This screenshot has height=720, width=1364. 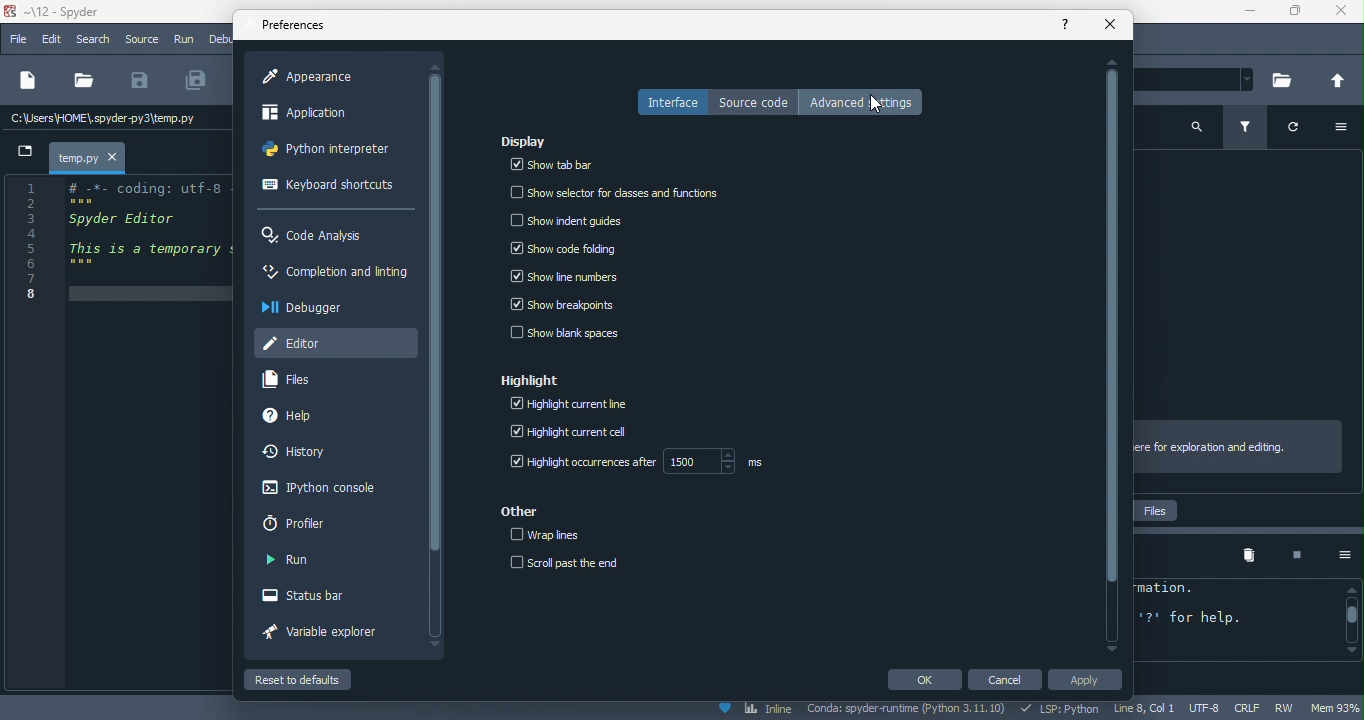 What do you see at coordinates (1243, 13) in the screenshot?
I see `minimize` at bounding box center [1243, 13].